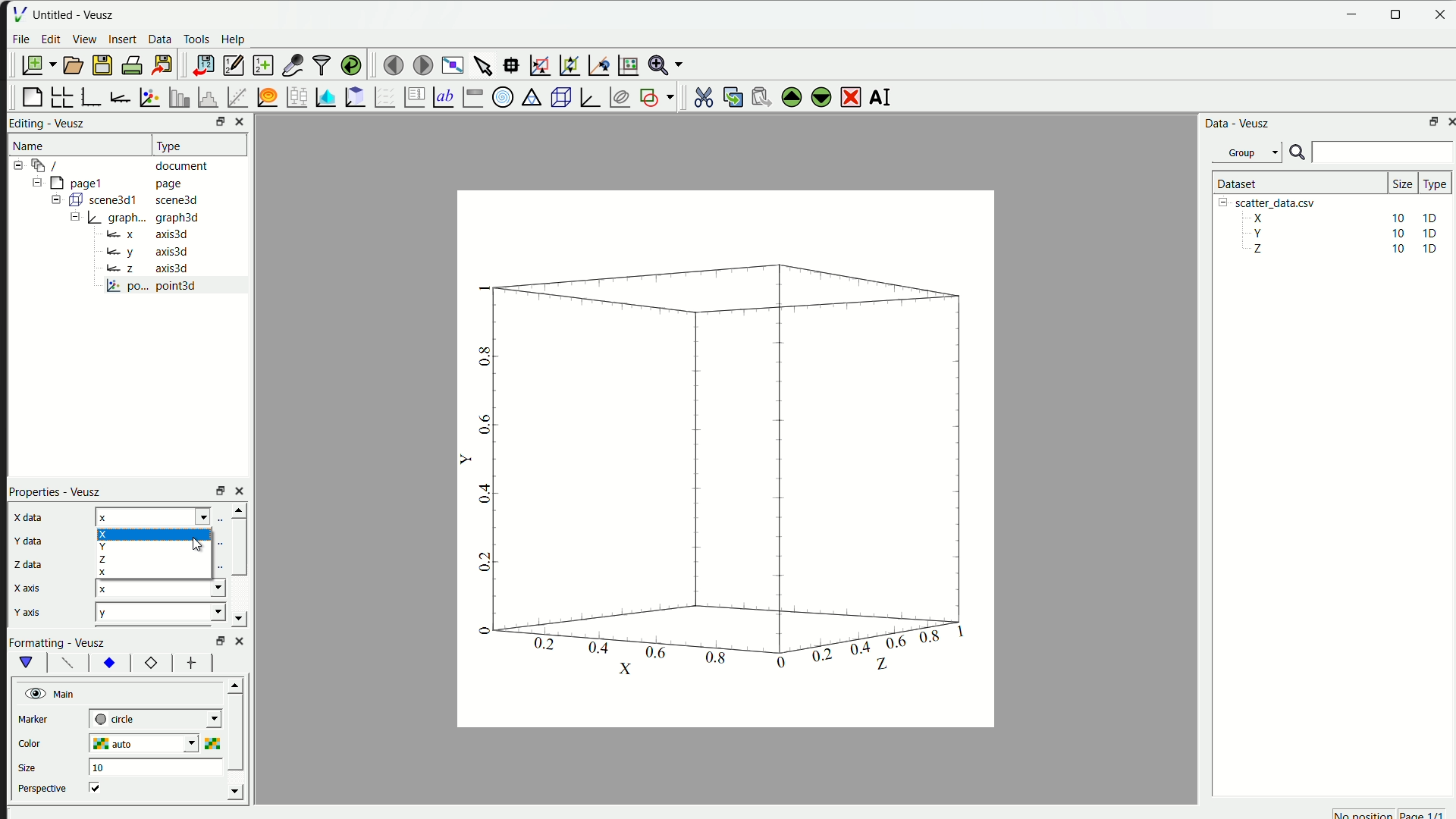 The height and width of the screenshot is (819, 1456). I want to click on 12, so click(146, 663).